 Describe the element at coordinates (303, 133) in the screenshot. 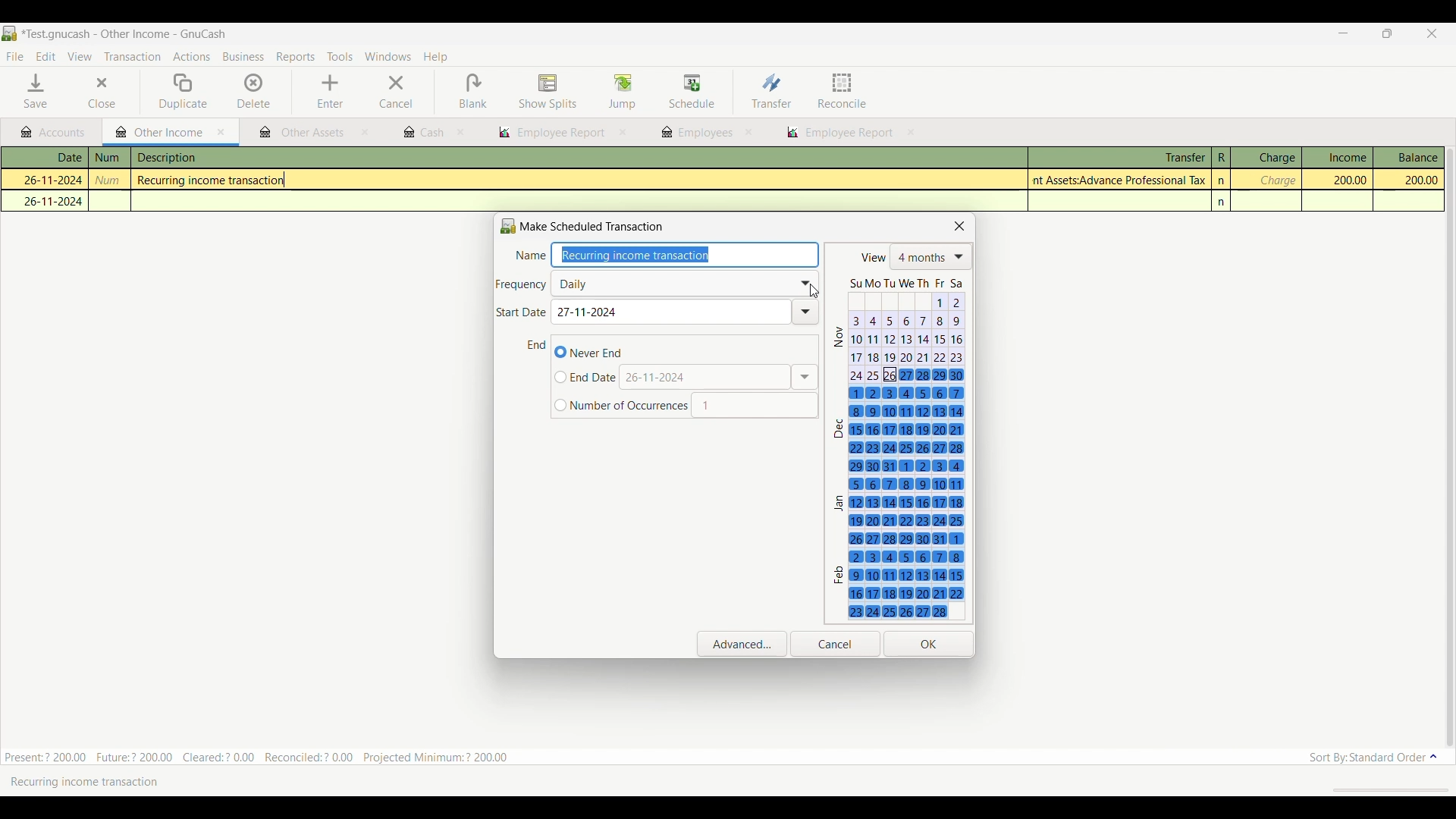

I see `other assets` at that location.